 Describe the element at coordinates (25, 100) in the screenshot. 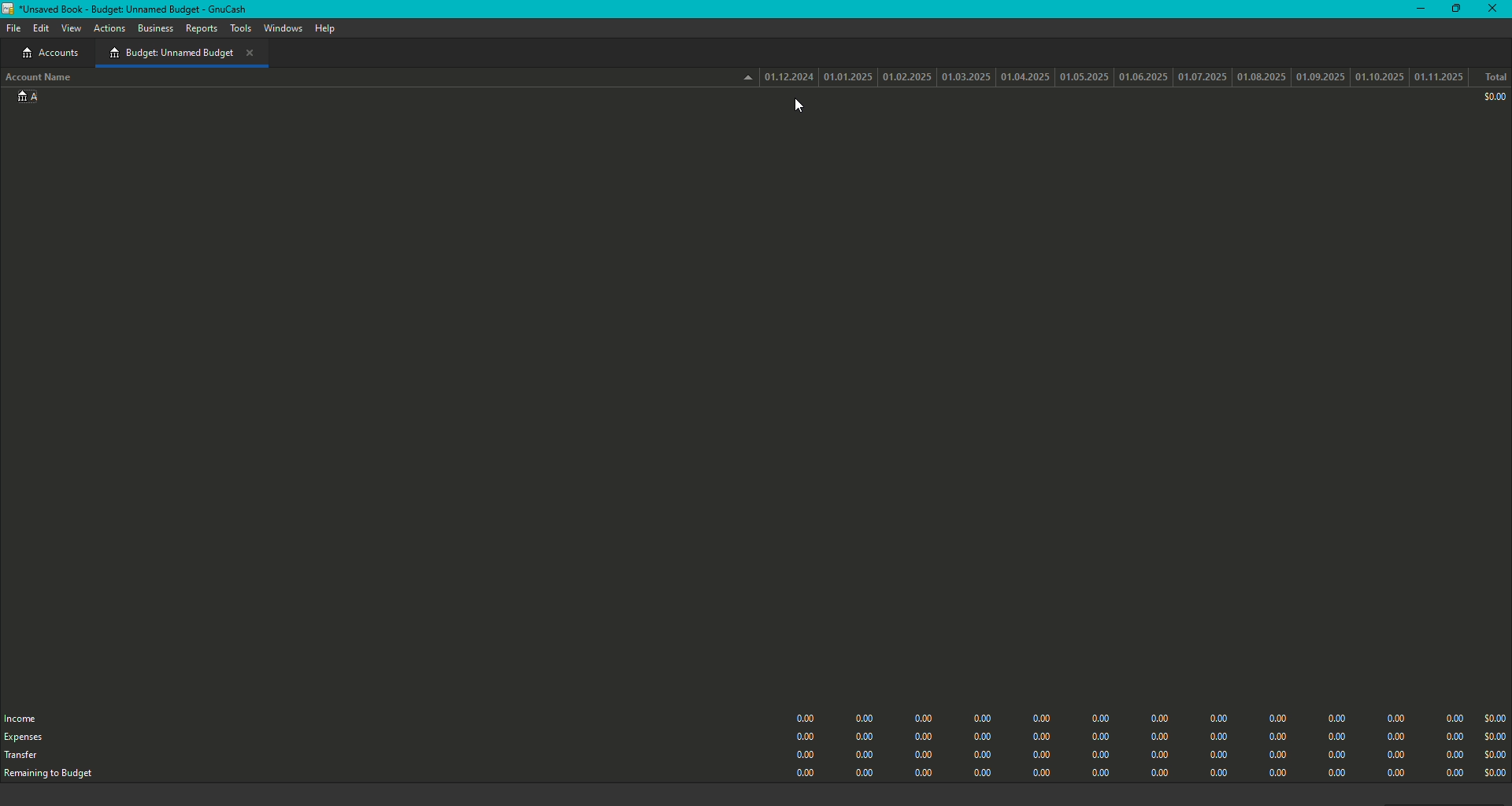

I see `Account A` at that location.